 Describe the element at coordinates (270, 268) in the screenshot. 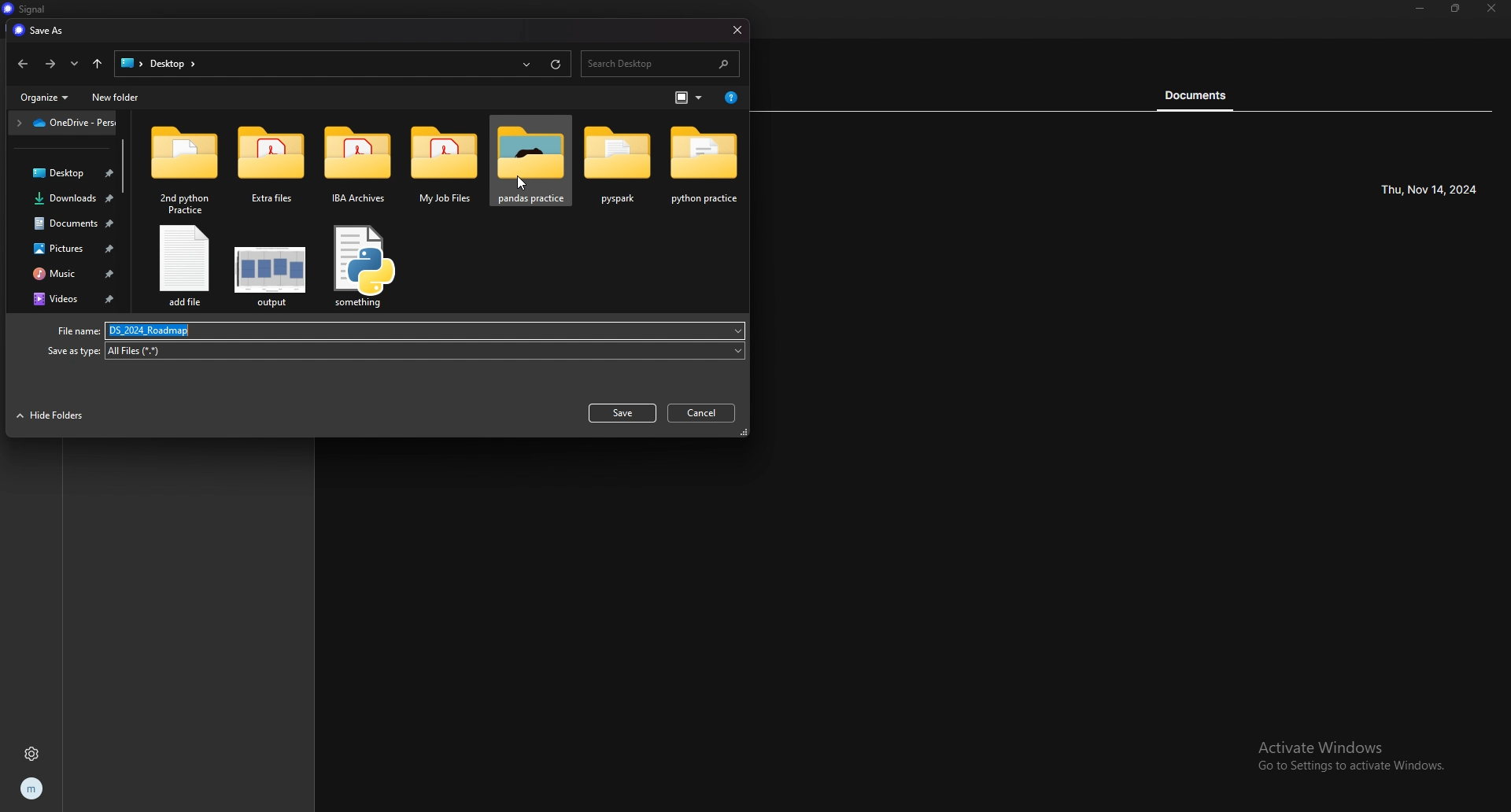

I see `file` at that location.